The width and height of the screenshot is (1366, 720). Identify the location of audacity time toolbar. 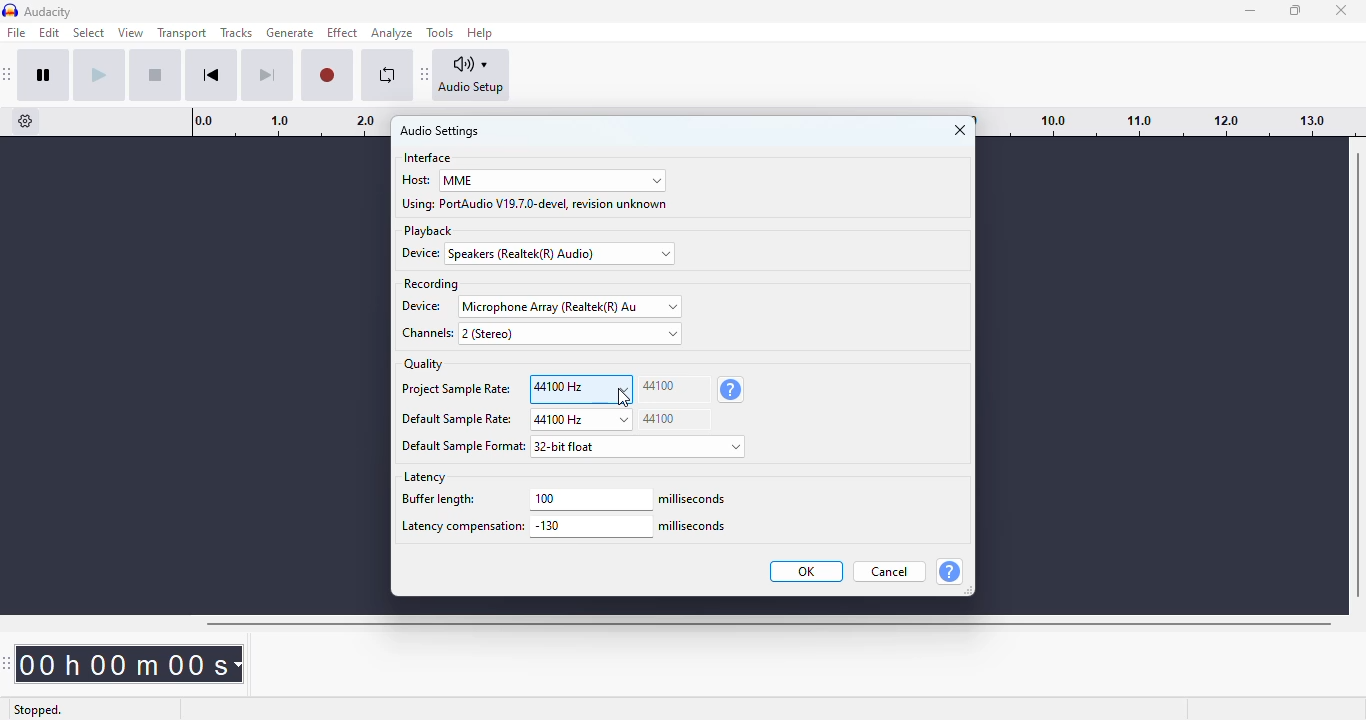
(9, 663).